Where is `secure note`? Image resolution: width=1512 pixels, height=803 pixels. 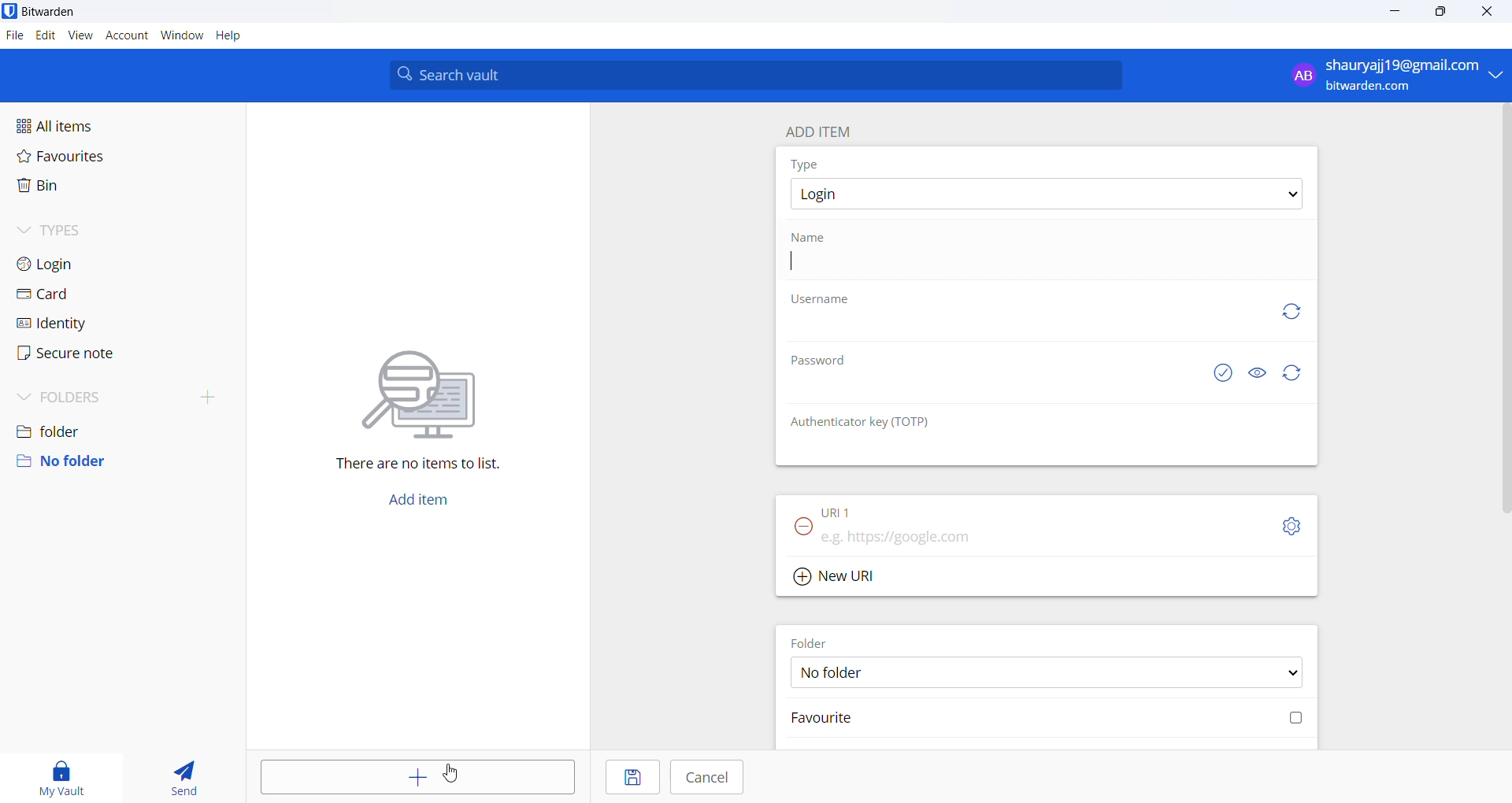
secure note is located at coordinates (80, 354).